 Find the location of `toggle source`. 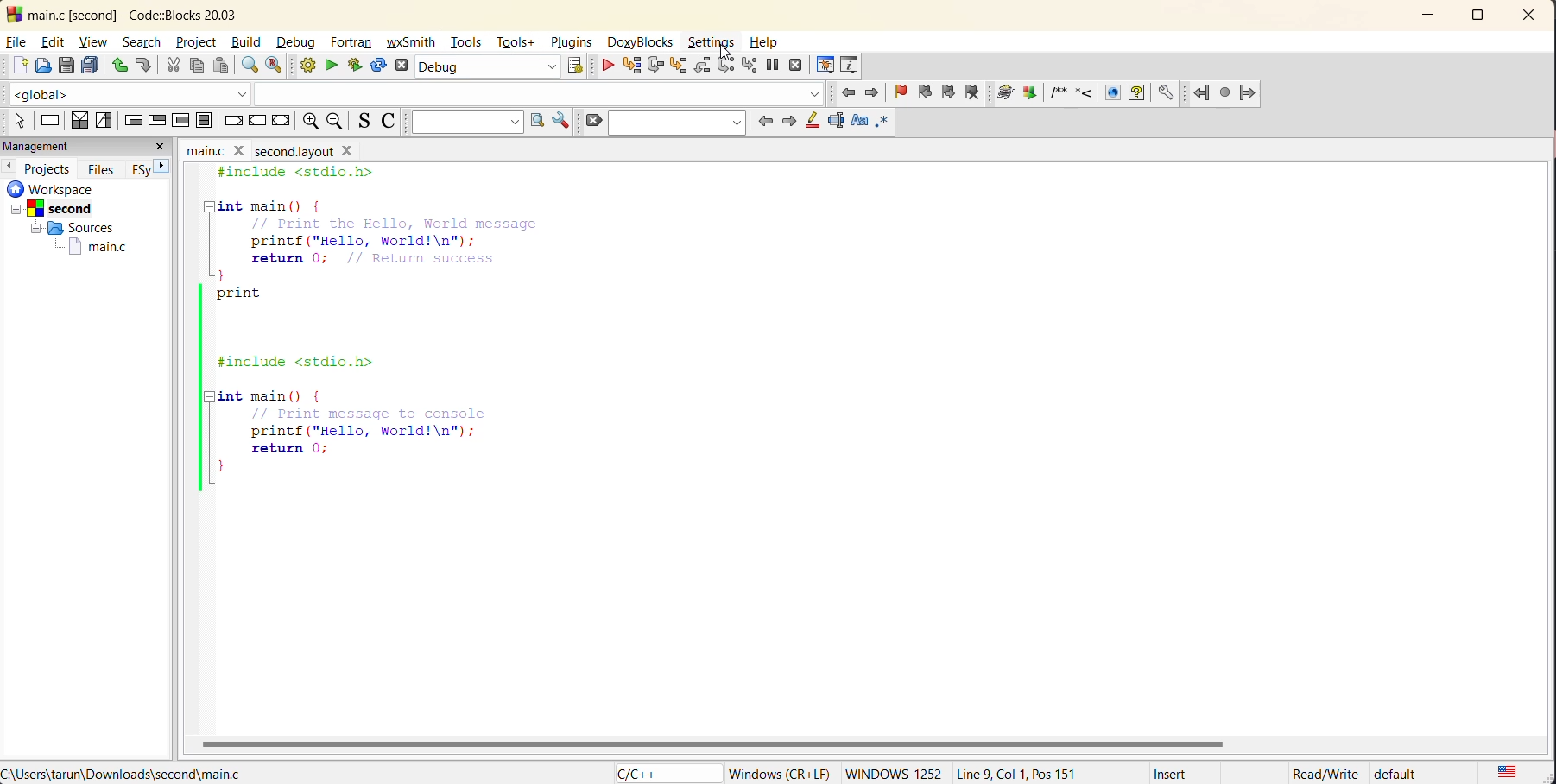

toggle source is located at coordinates (367, 123).